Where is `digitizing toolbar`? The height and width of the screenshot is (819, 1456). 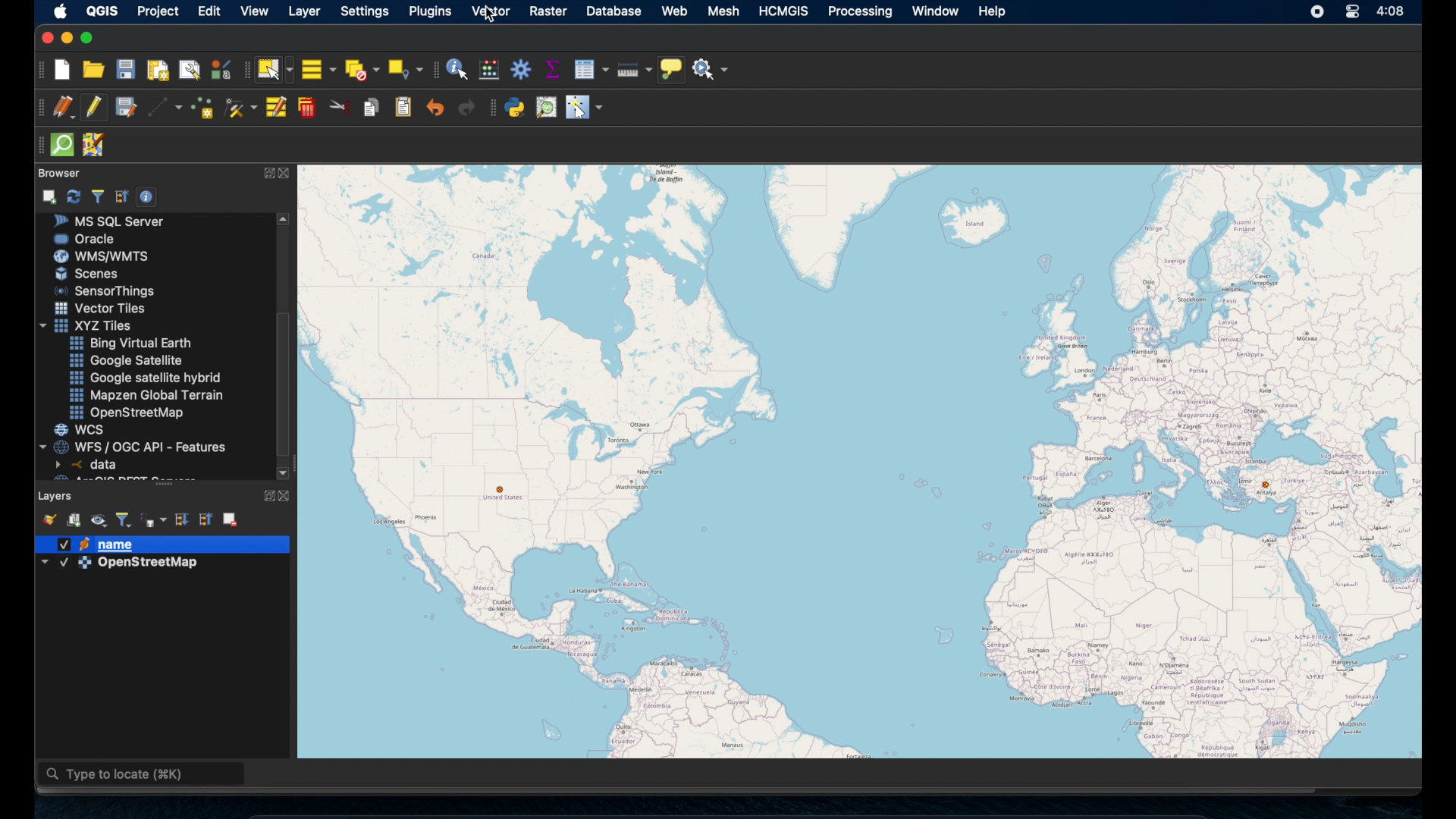 digitizing toolbar is located at coordinates (36, 108).